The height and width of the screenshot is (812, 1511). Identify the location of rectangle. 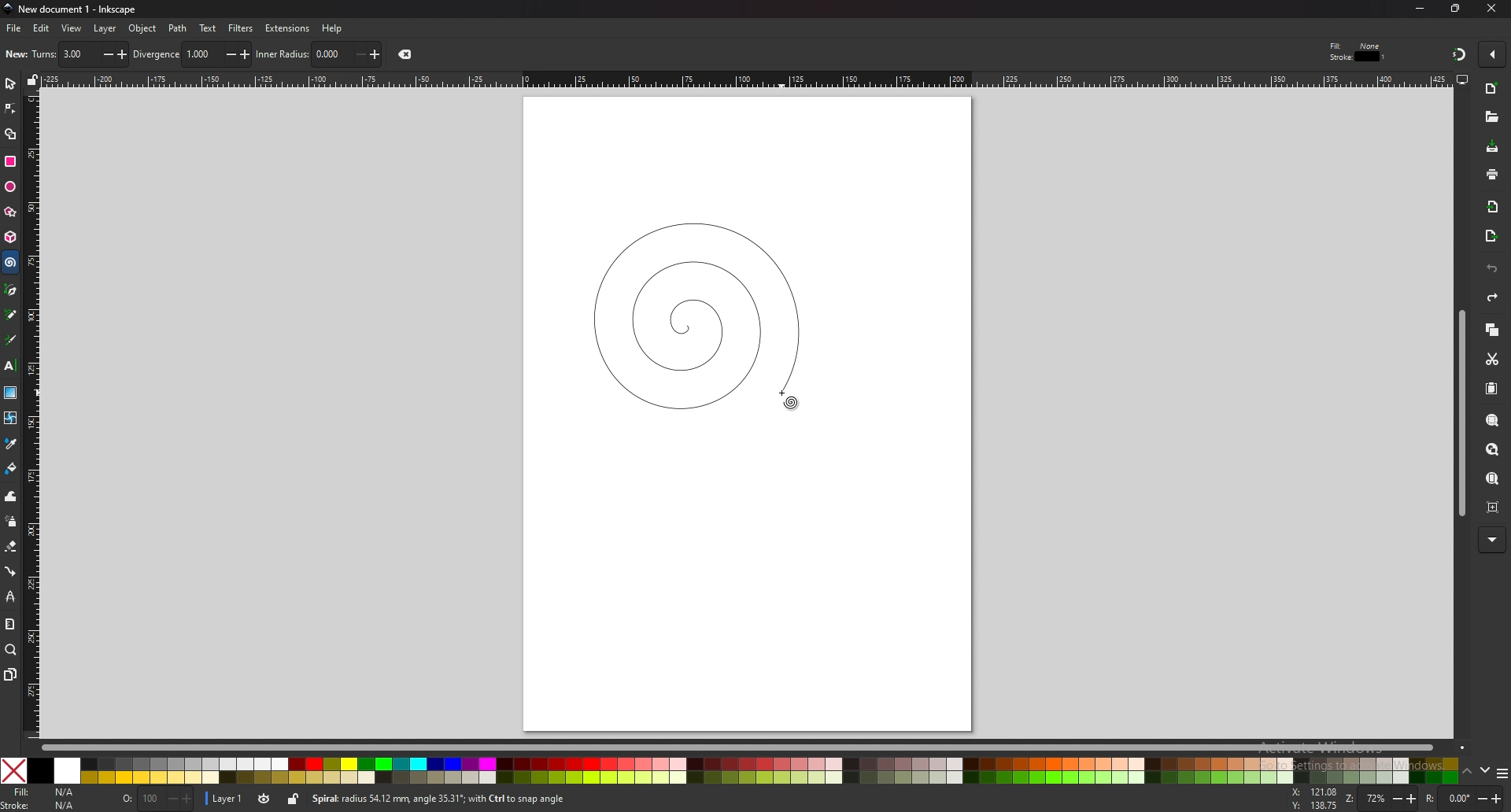
(12, 161).